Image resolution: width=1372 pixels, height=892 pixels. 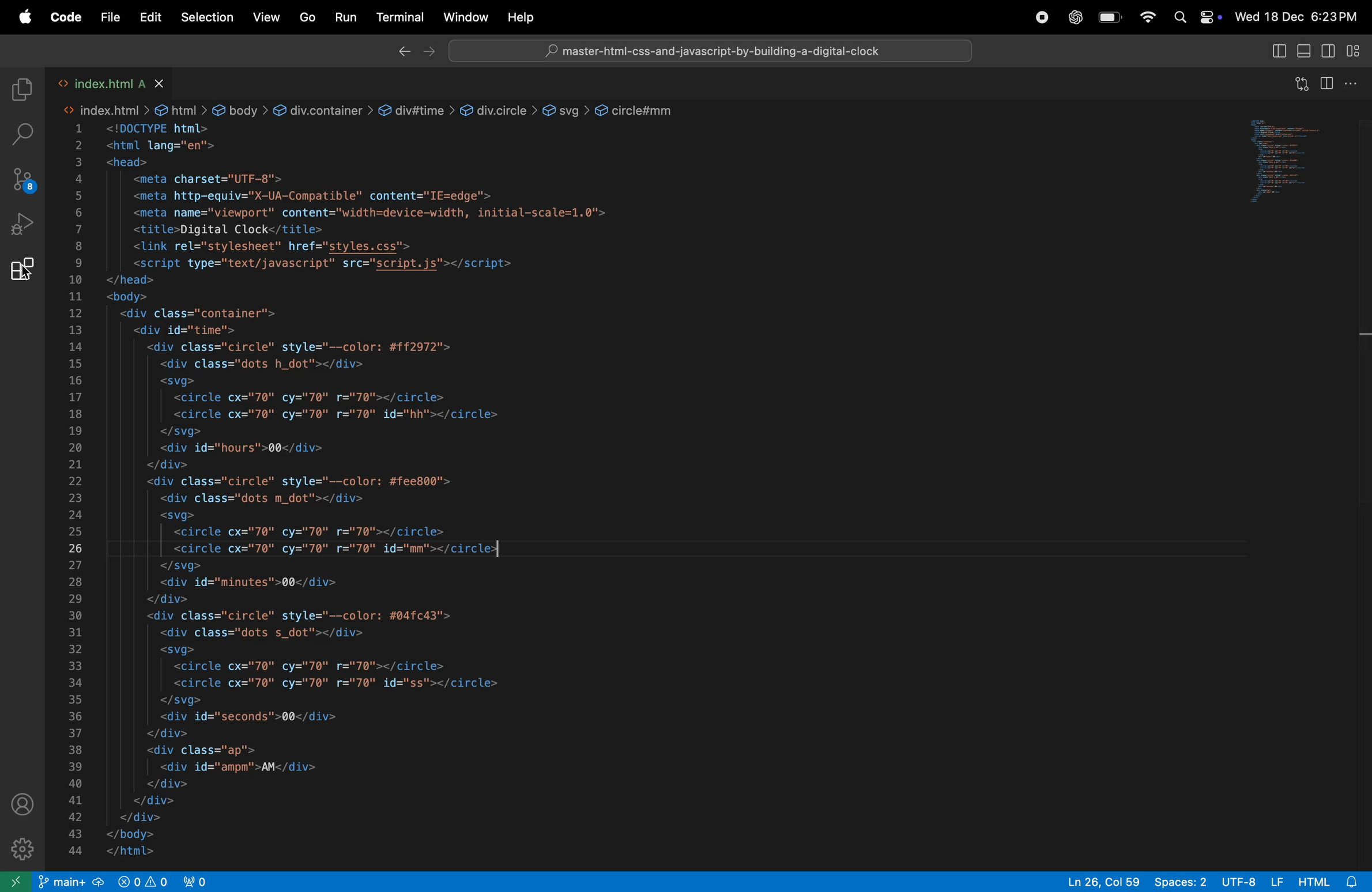 I want to click on record, so click(x=1041, y=18).